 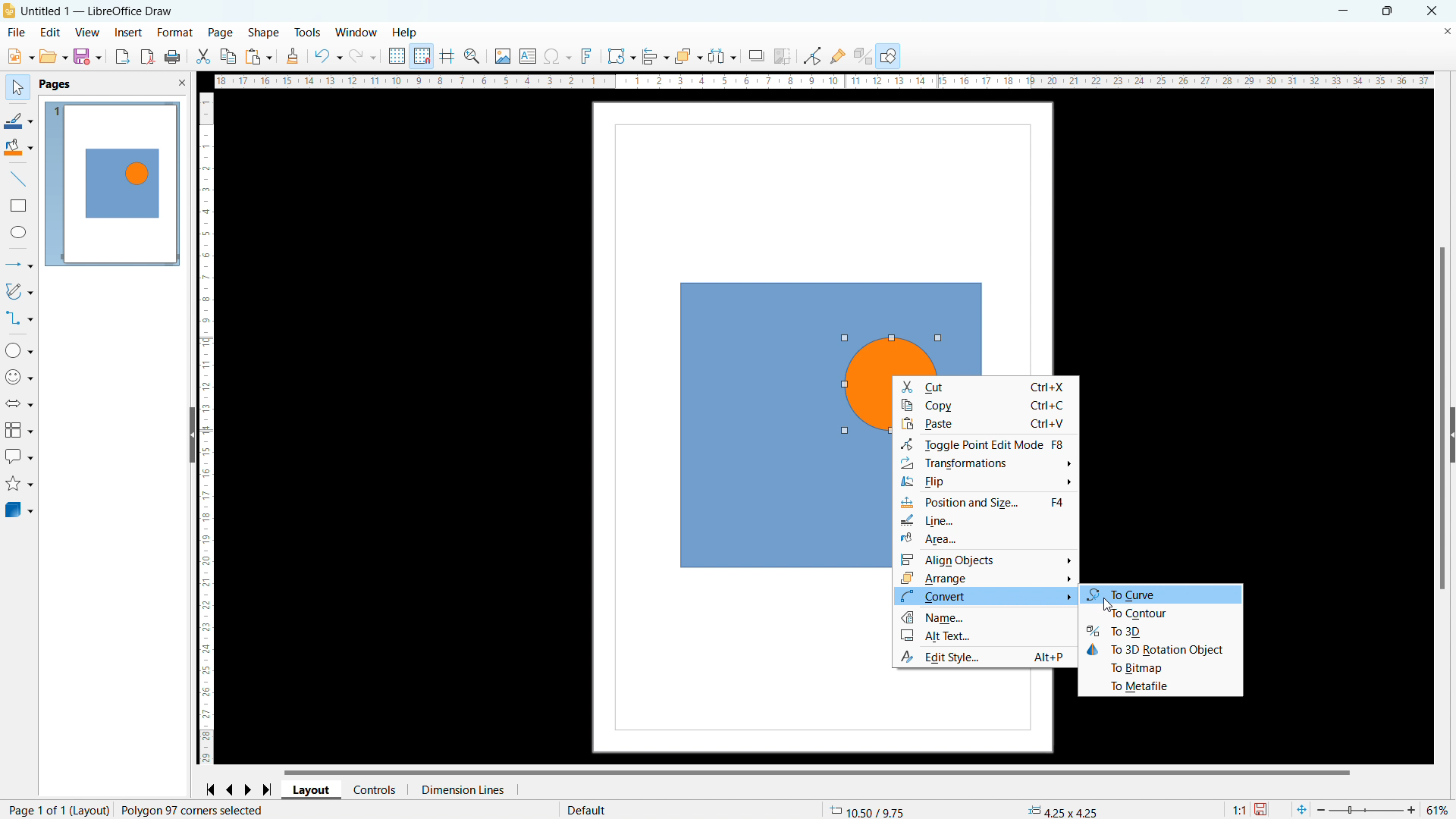 What do you see at coordinates (688, 57) in the screenshot?
I see `arrange` at bounding box center [688, 57].